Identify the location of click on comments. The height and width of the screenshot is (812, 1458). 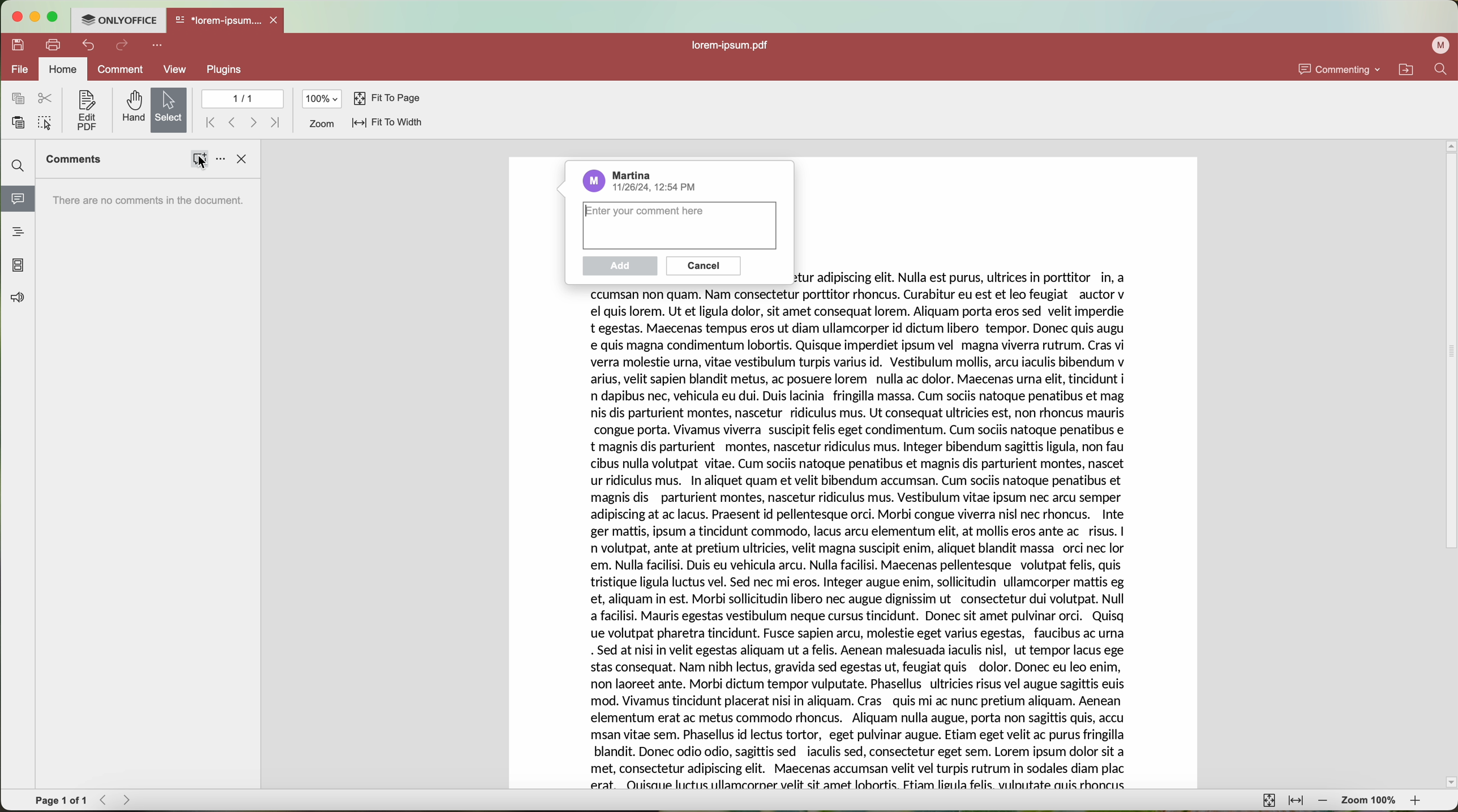
(17, 201).